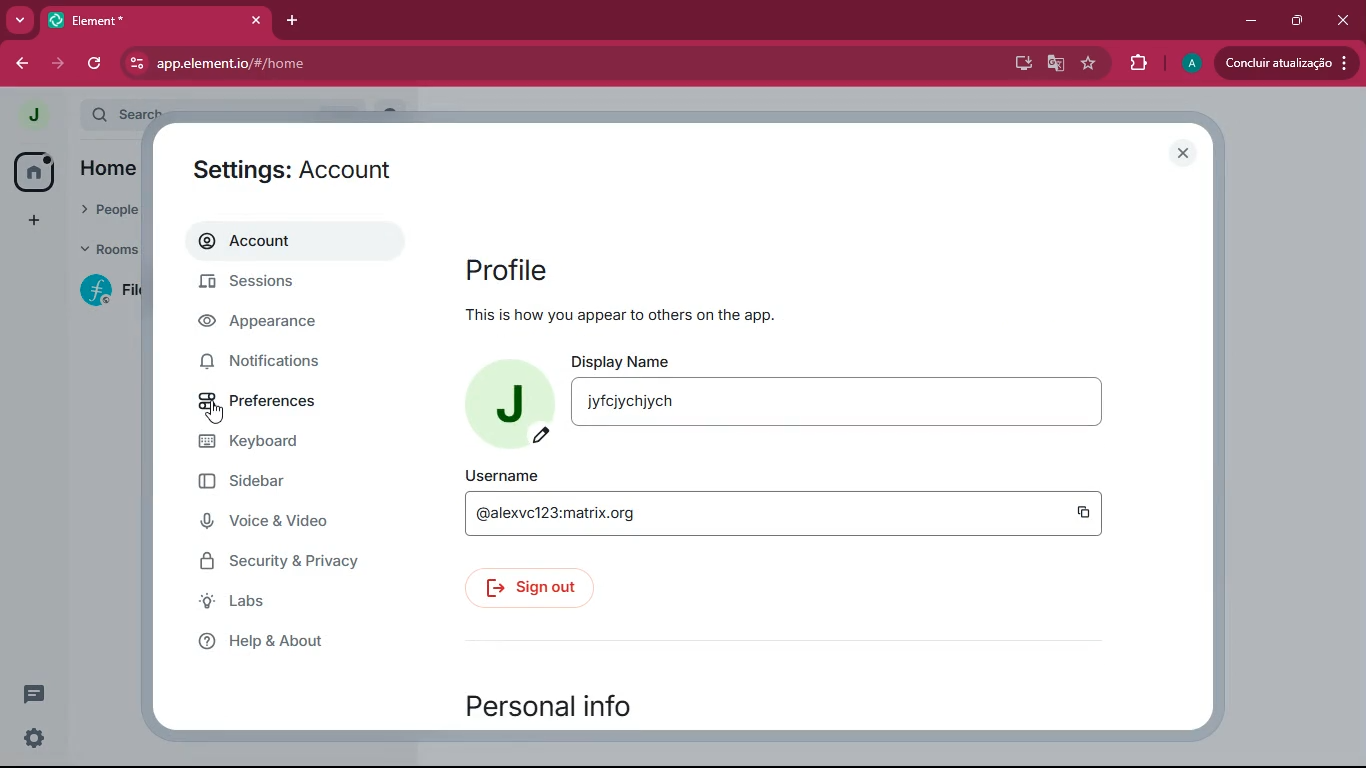  Describe the element at coordinates (1252, 20) in the screenshot. I see `minimize` at that location.